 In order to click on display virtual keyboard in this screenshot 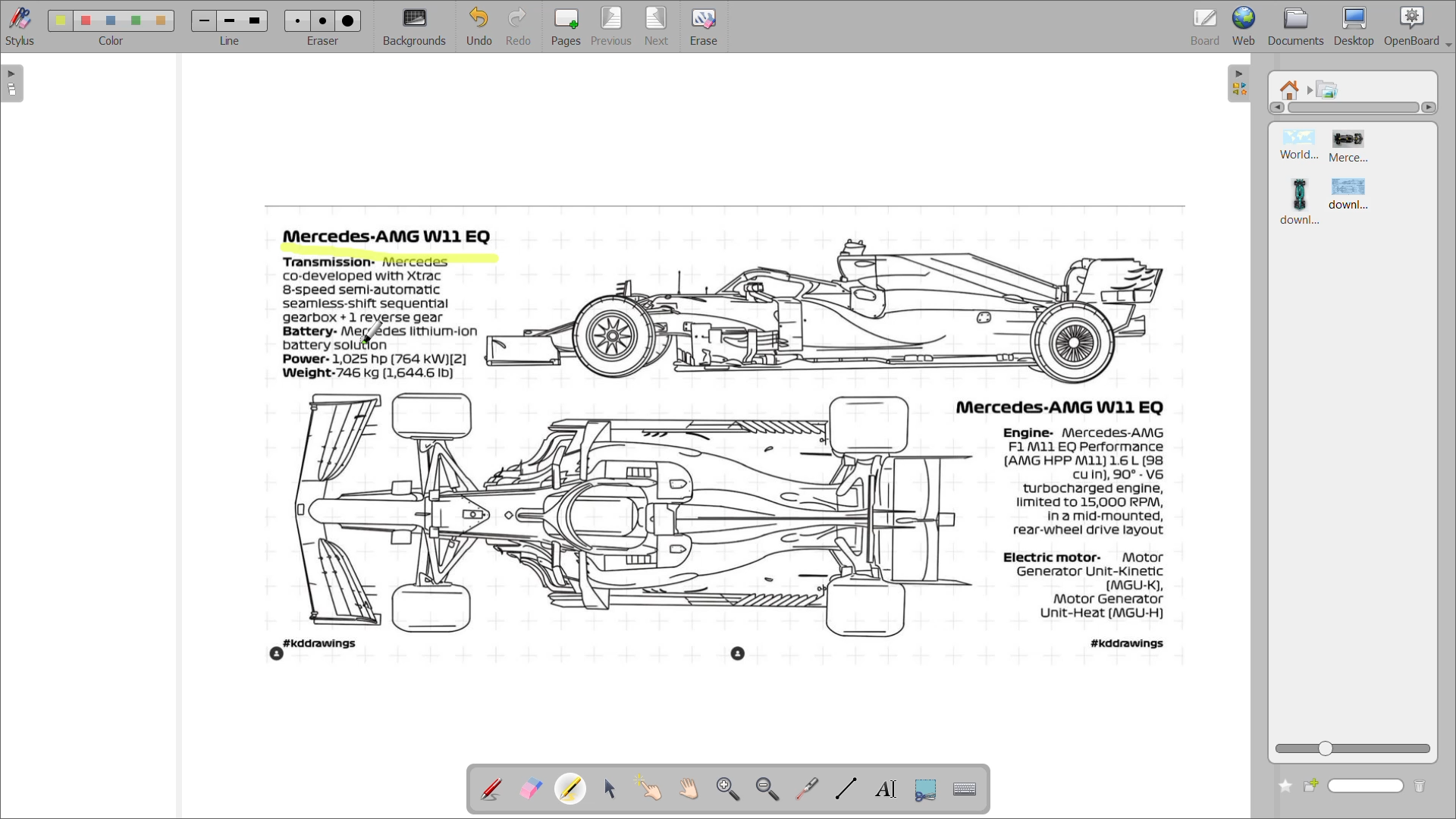, I will do `click(967, 790)`.